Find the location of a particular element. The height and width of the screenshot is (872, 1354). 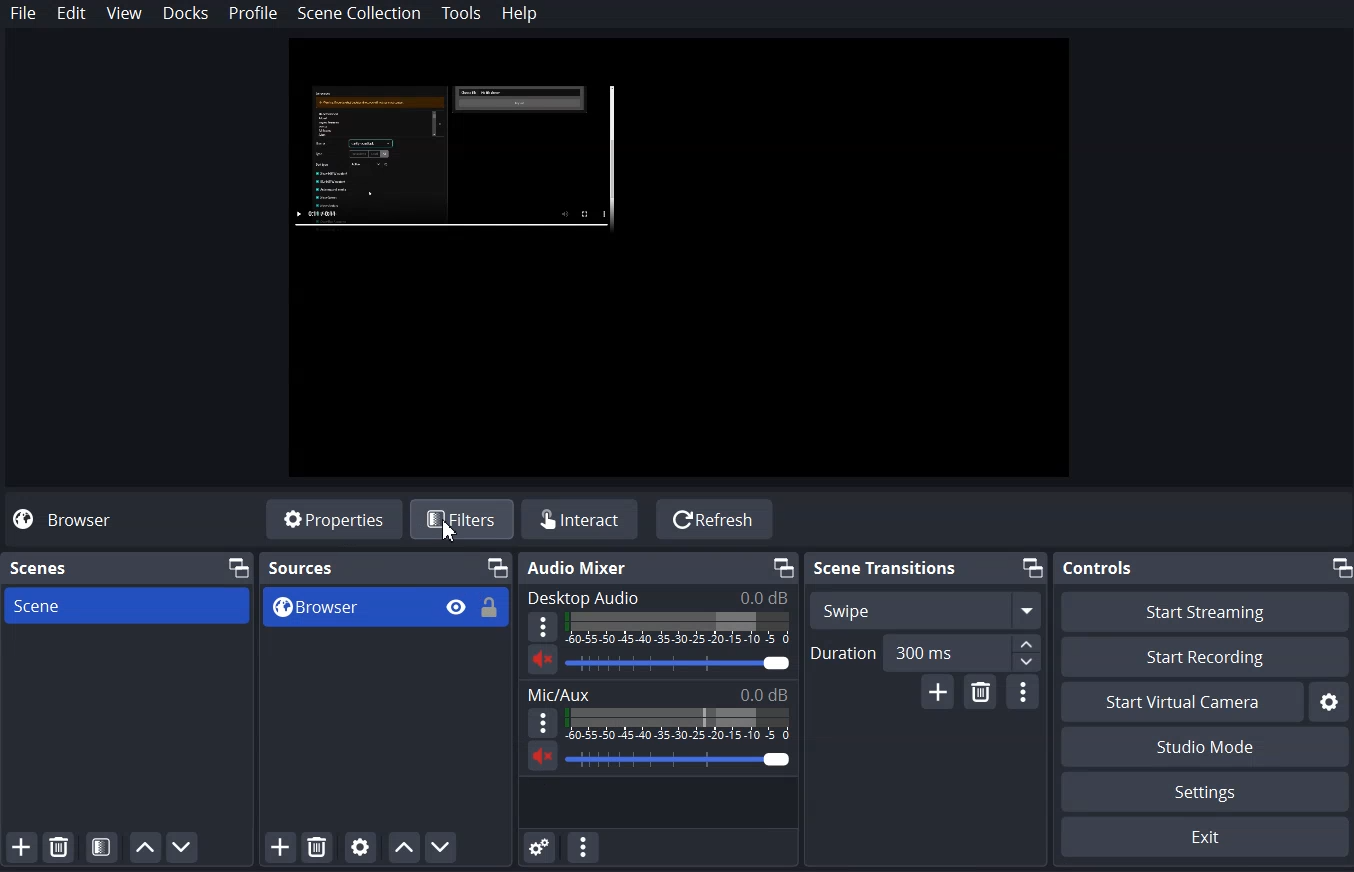

Audio mixer Menu is located at coordinates (584, 847).